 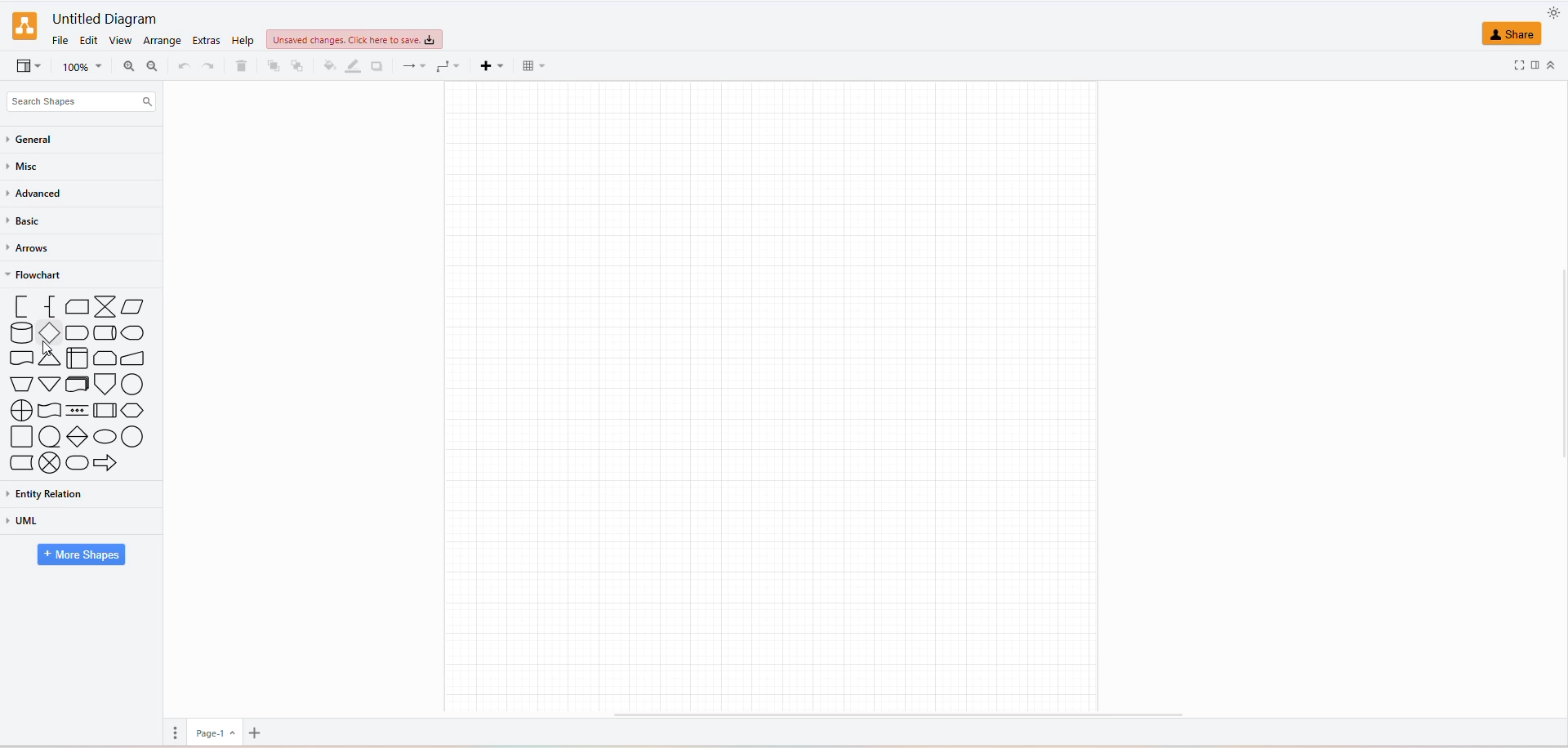 I want to click on FILE, so click(x=58, y=38).